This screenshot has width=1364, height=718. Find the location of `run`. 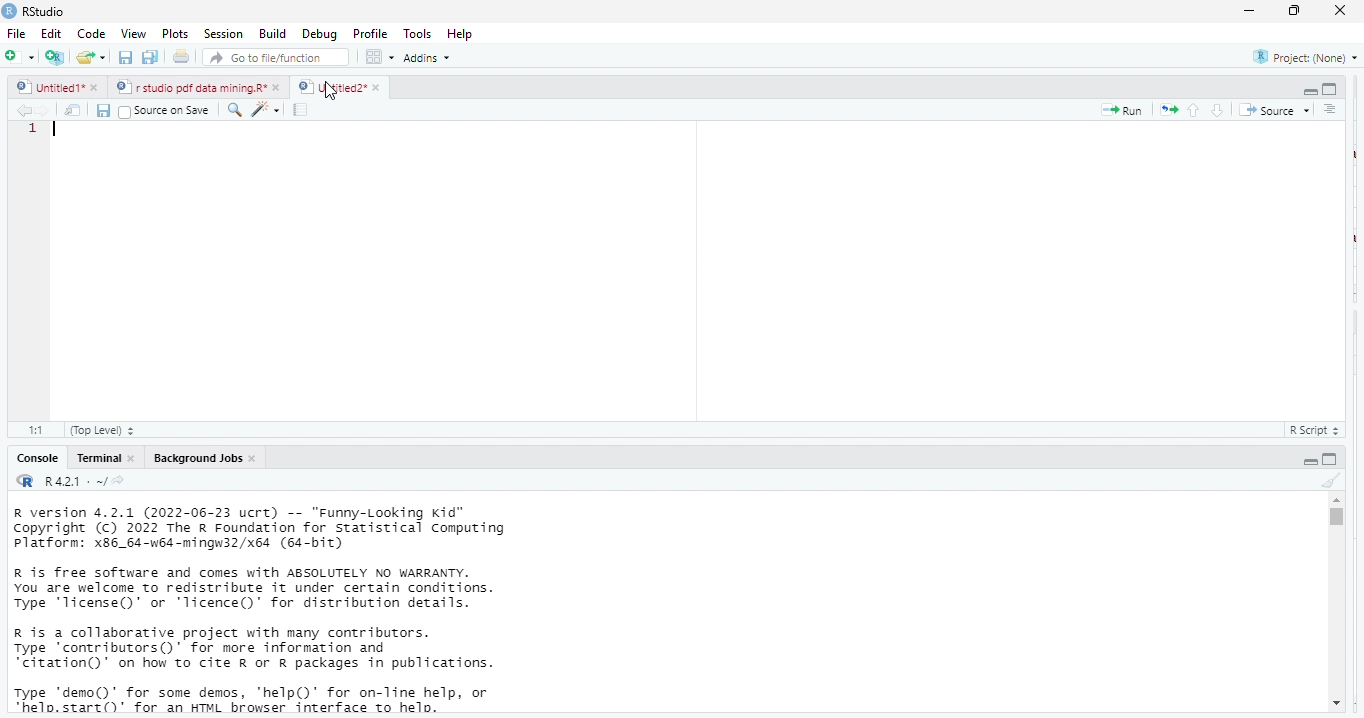

run is located at coordinates (1122, 110).